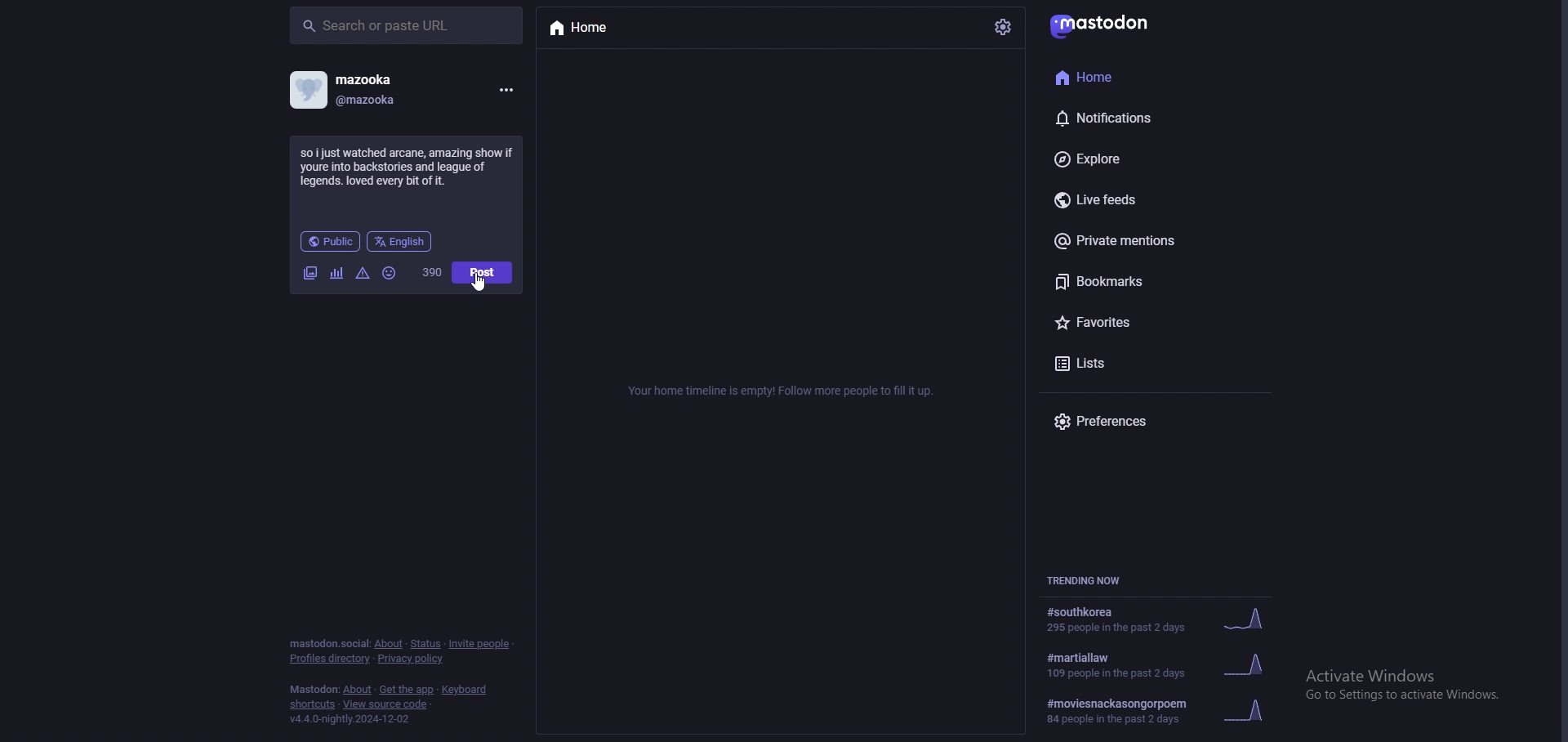 The height and width of the screenshot is (742, 1568). What do you see at coordinates (1129, 118) in the screenshot?
I see `notifications` at bounding box center [1129, 118].